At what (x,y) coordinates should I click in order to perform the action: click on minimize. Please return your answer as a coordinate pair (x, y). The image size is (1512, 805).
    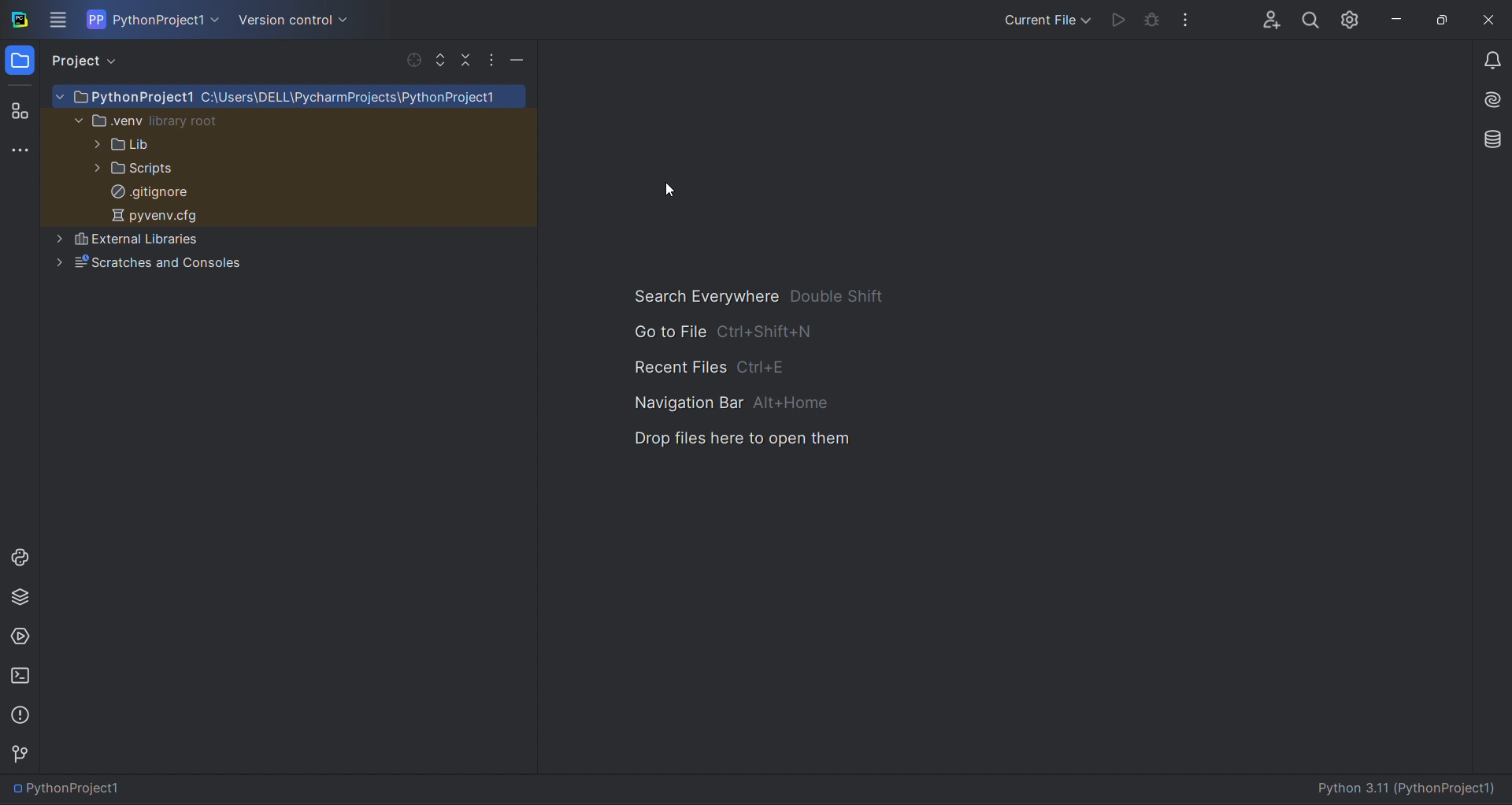
    Looking at the image, I should click on (1405, 17).